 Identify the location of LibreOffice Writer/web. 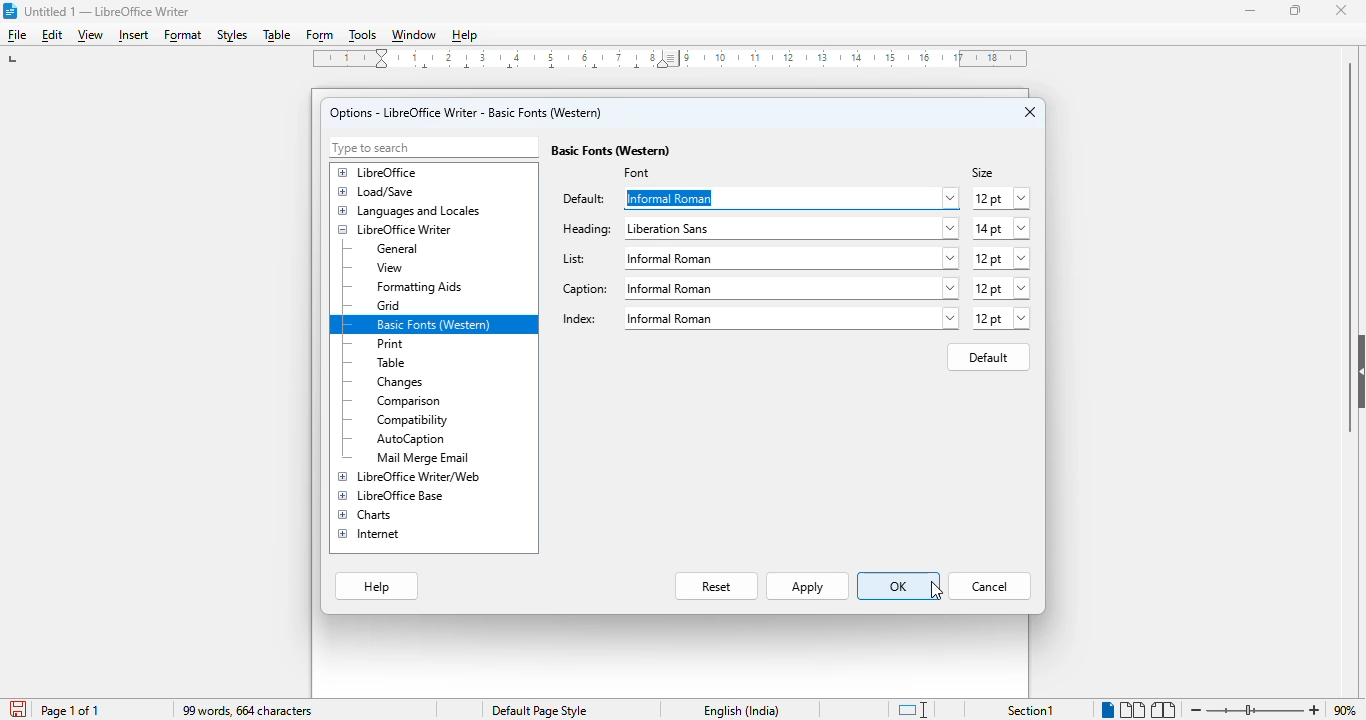
(411, 476).